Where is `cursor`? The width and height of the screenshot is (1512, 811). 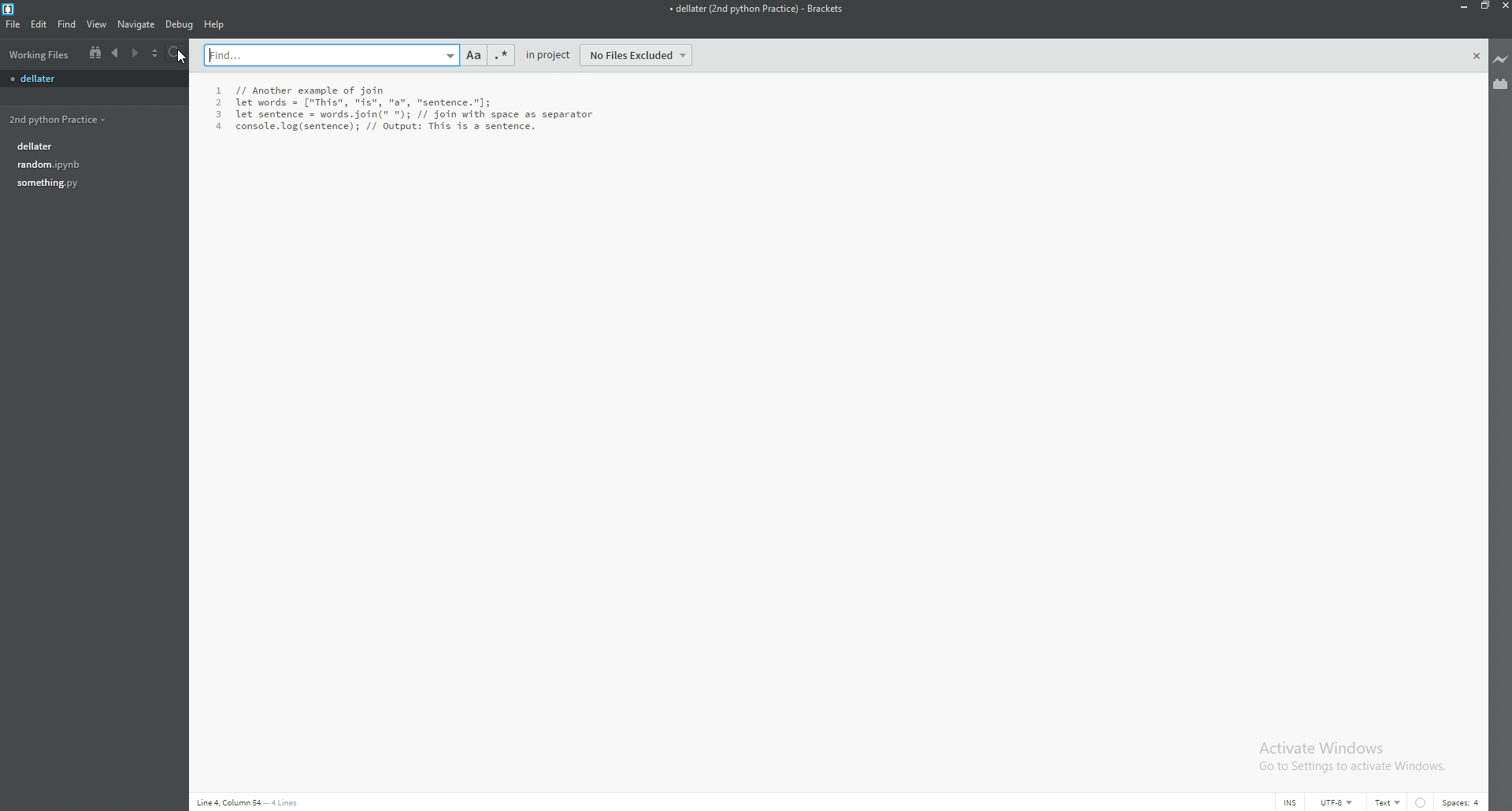
cursor is located at coordinates (181, 55).